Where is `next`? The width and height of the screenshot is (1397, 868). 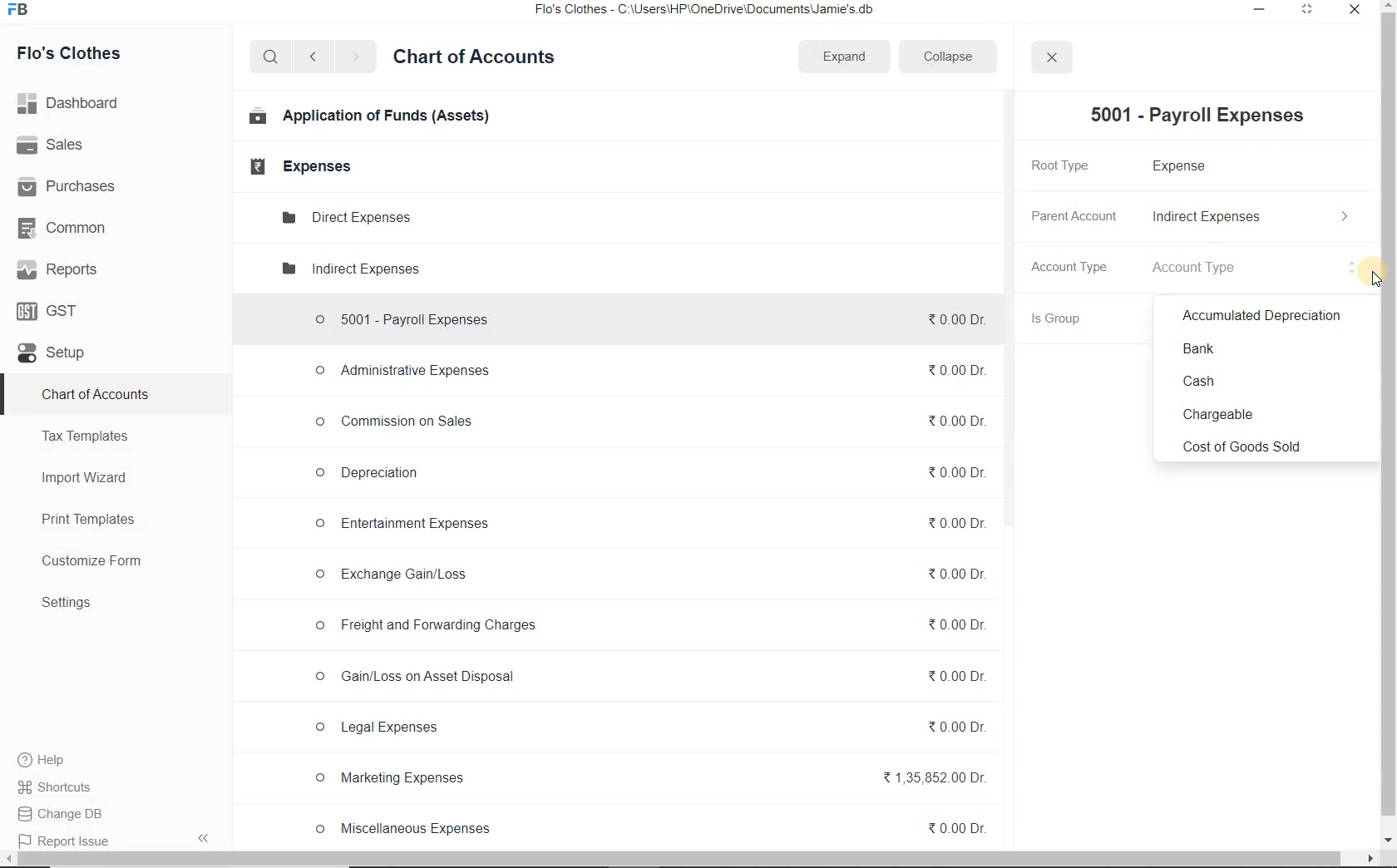
next is located at coordinates (355, 58).